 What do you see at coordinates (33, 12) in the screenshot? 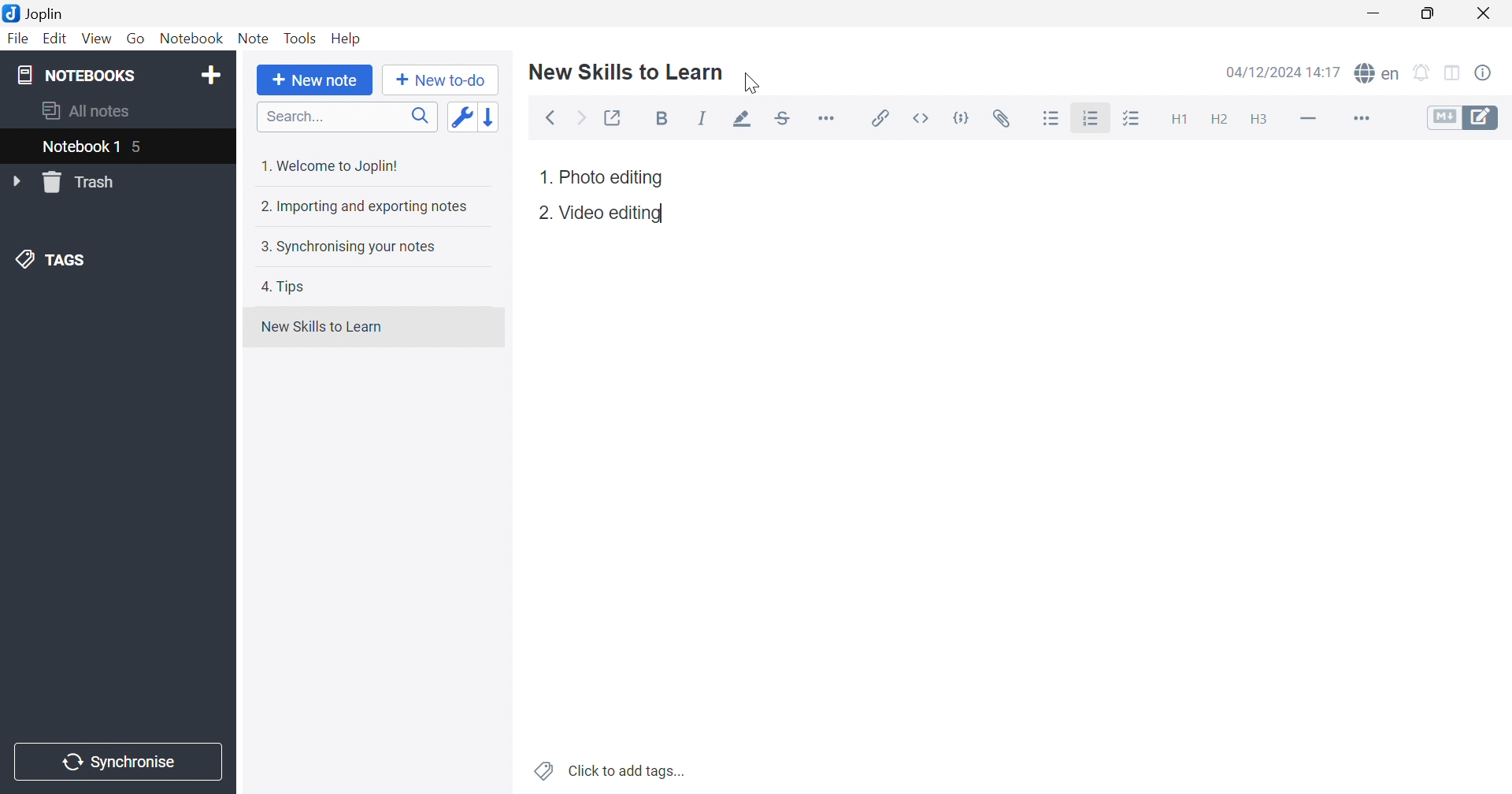
I see `Joplin` at bounding box center [33, 12].